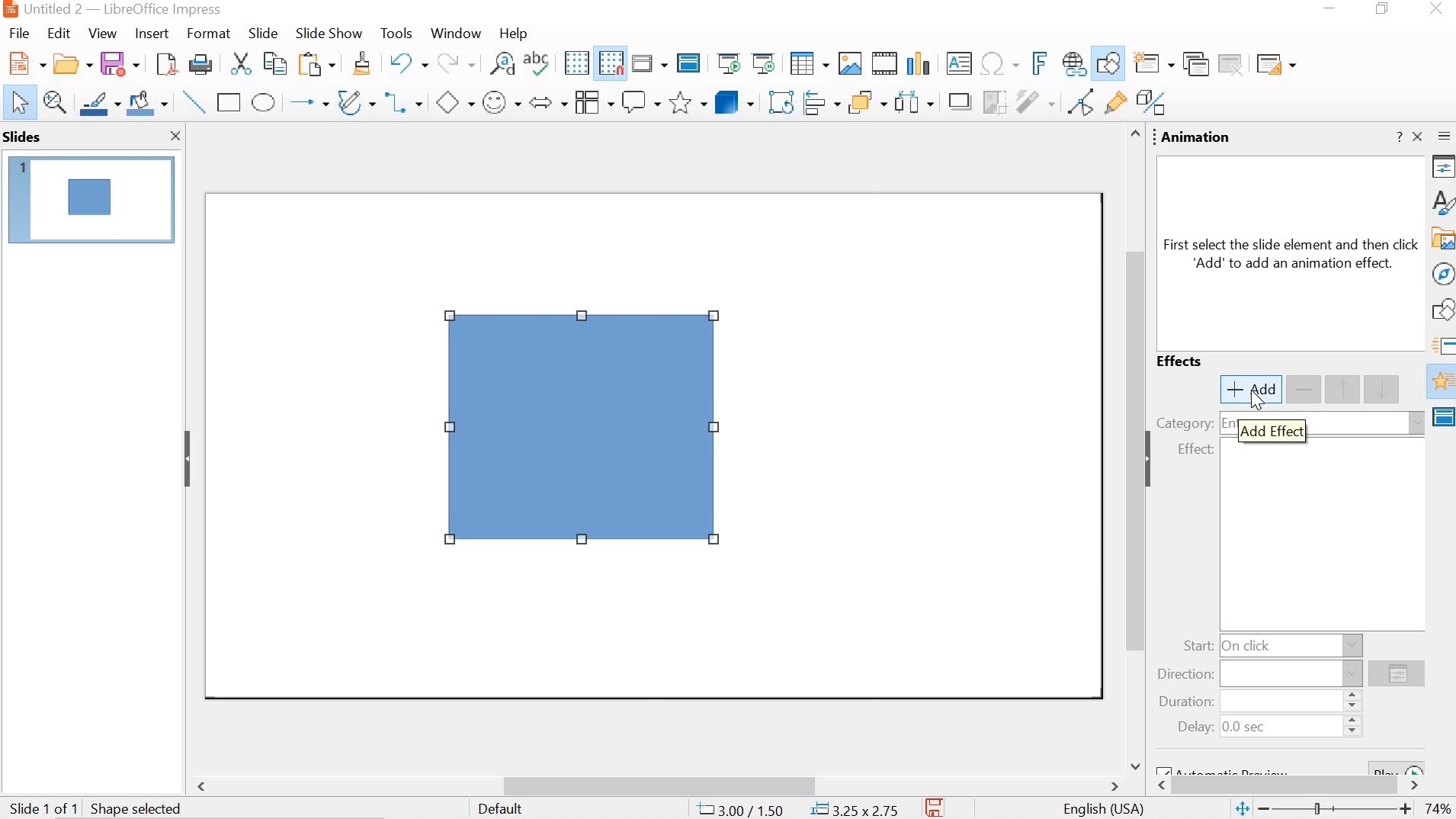  What do you see at coordinates (649, 65) in the screenshot?
I see `display views` at bounding box center [649, 65].